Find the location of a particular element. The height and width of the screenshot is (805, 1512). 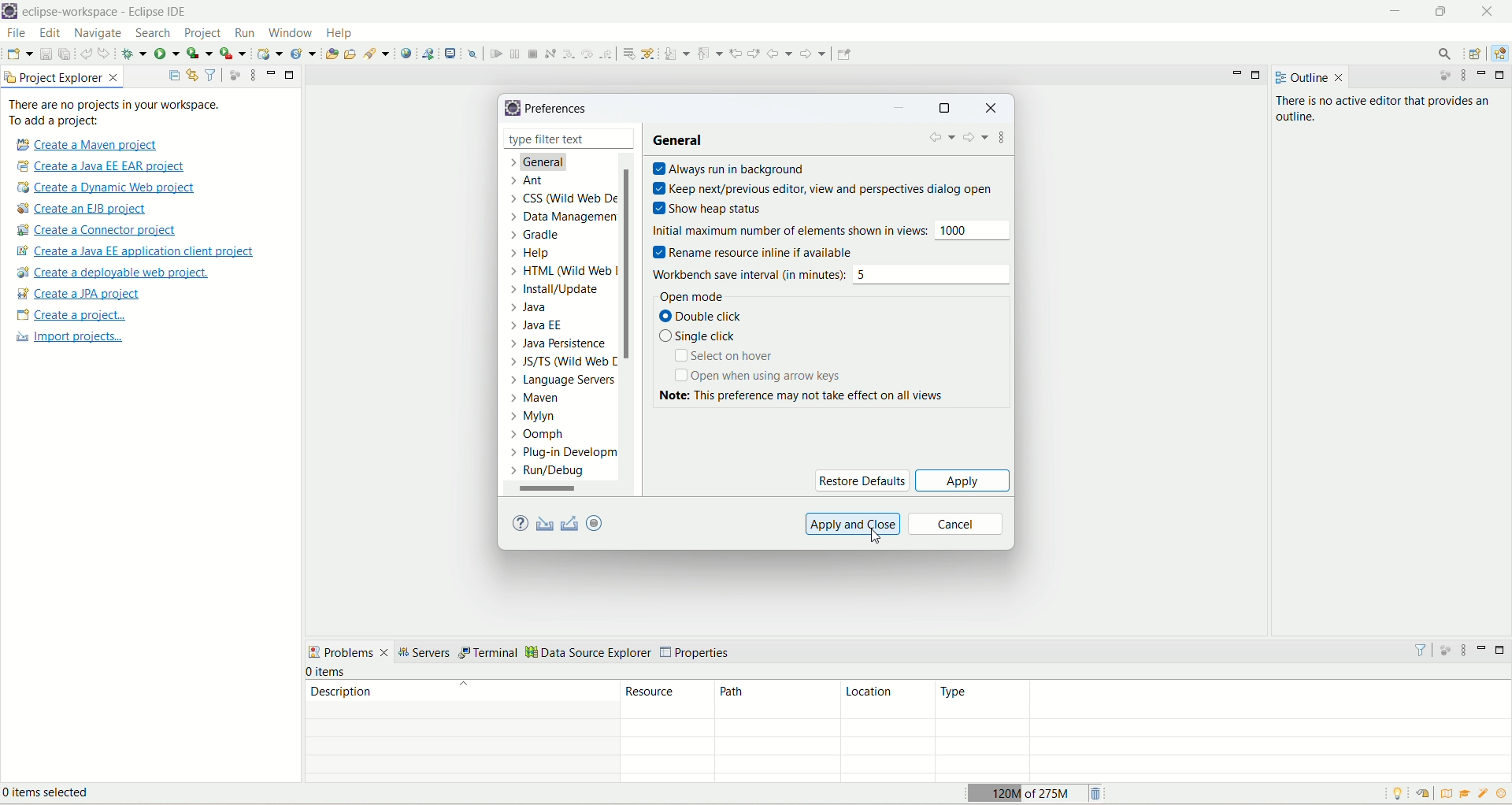

navigate is located at coordinates (101, 34).